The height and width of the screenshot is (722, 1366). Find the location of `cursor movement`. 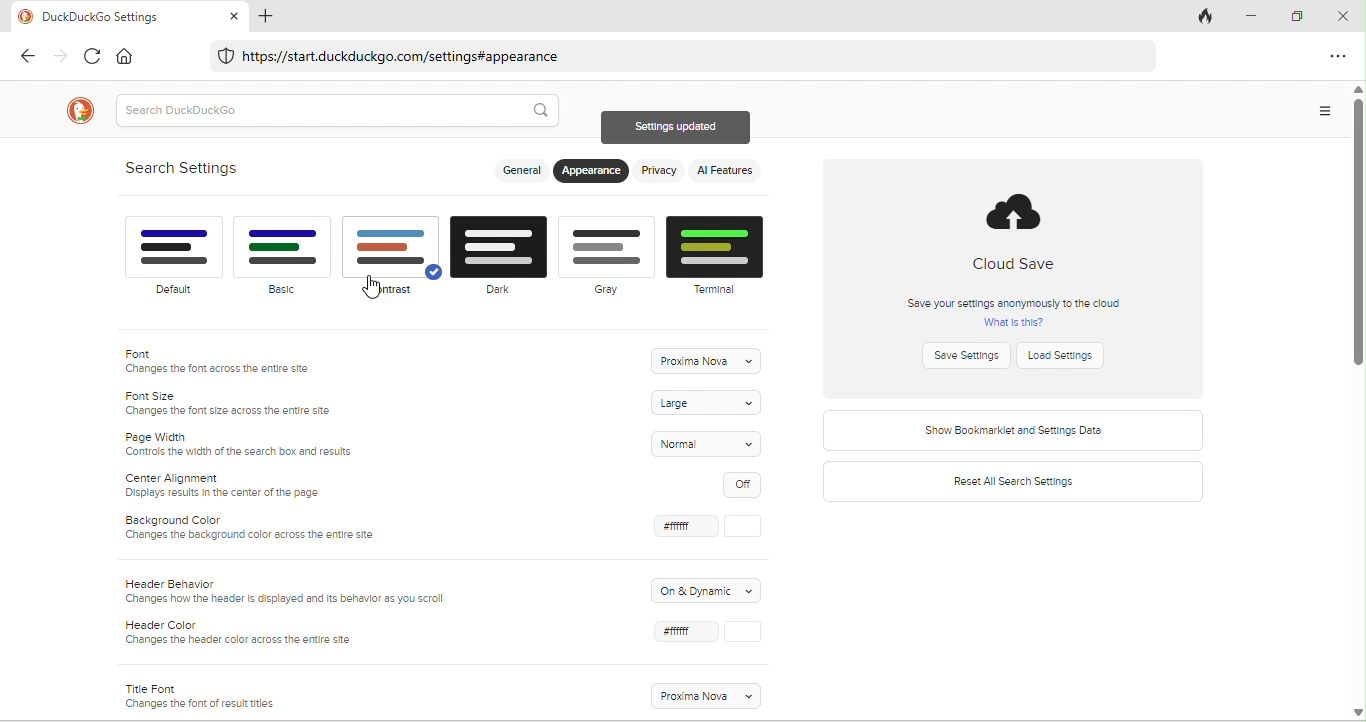

cursor movement is located at coordinates (374, 288).